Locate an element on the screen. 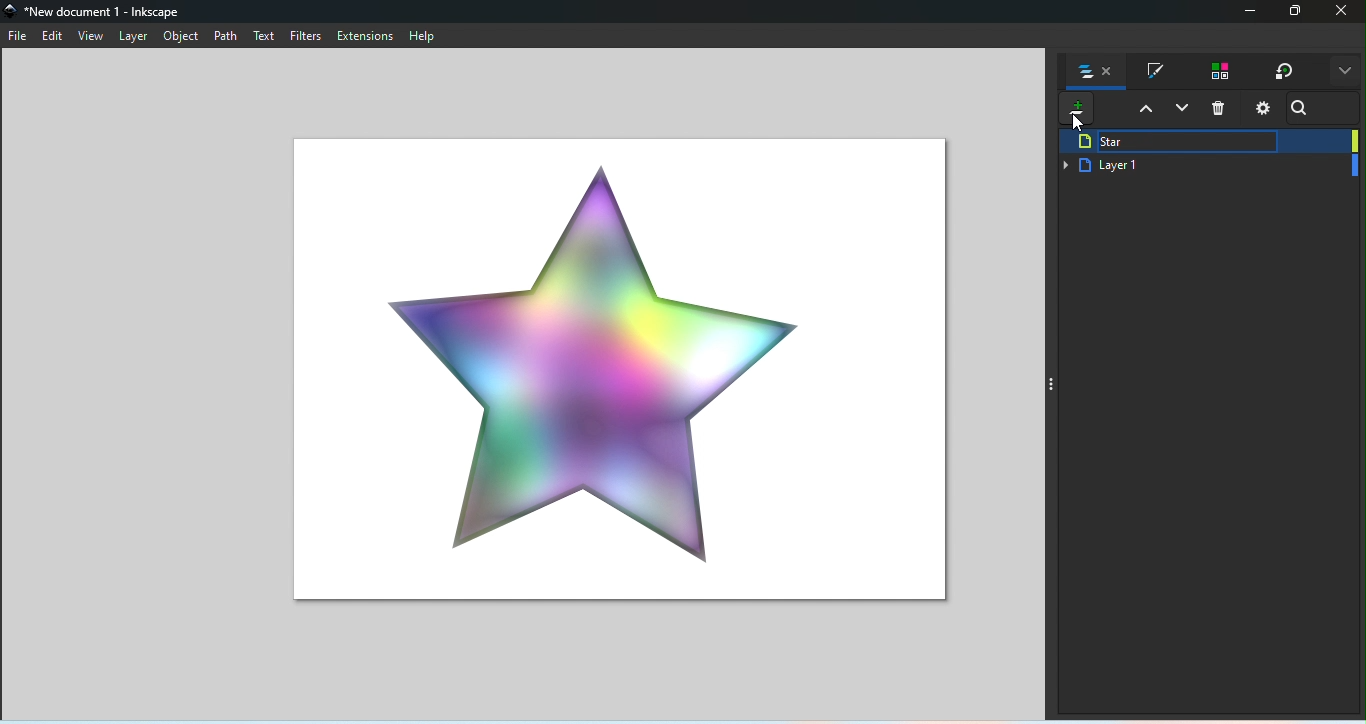  Transform is located at coordinates (1284, 72).